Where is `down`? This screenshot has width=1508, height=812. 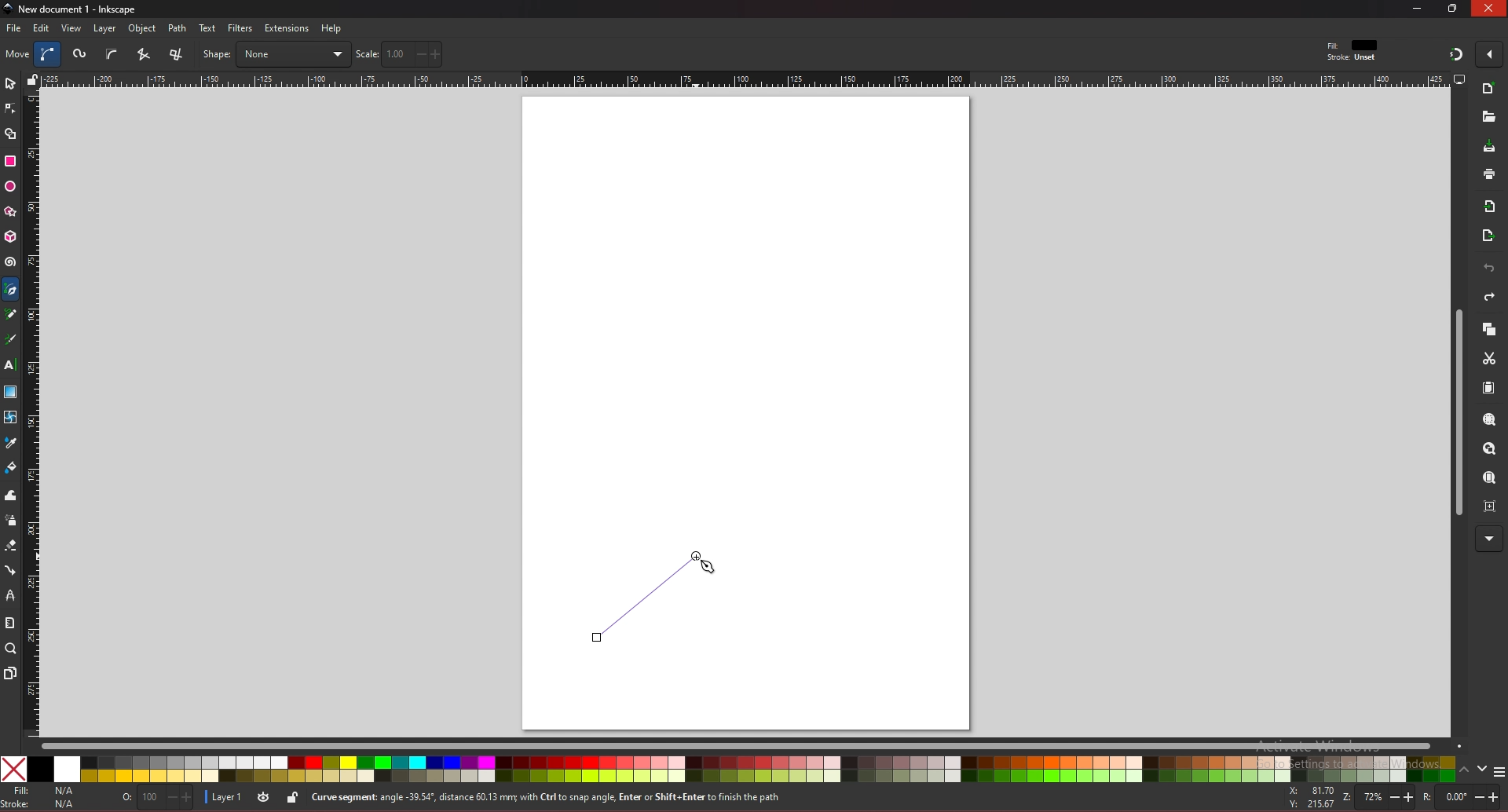 down is located at coordinates (1483, 769).